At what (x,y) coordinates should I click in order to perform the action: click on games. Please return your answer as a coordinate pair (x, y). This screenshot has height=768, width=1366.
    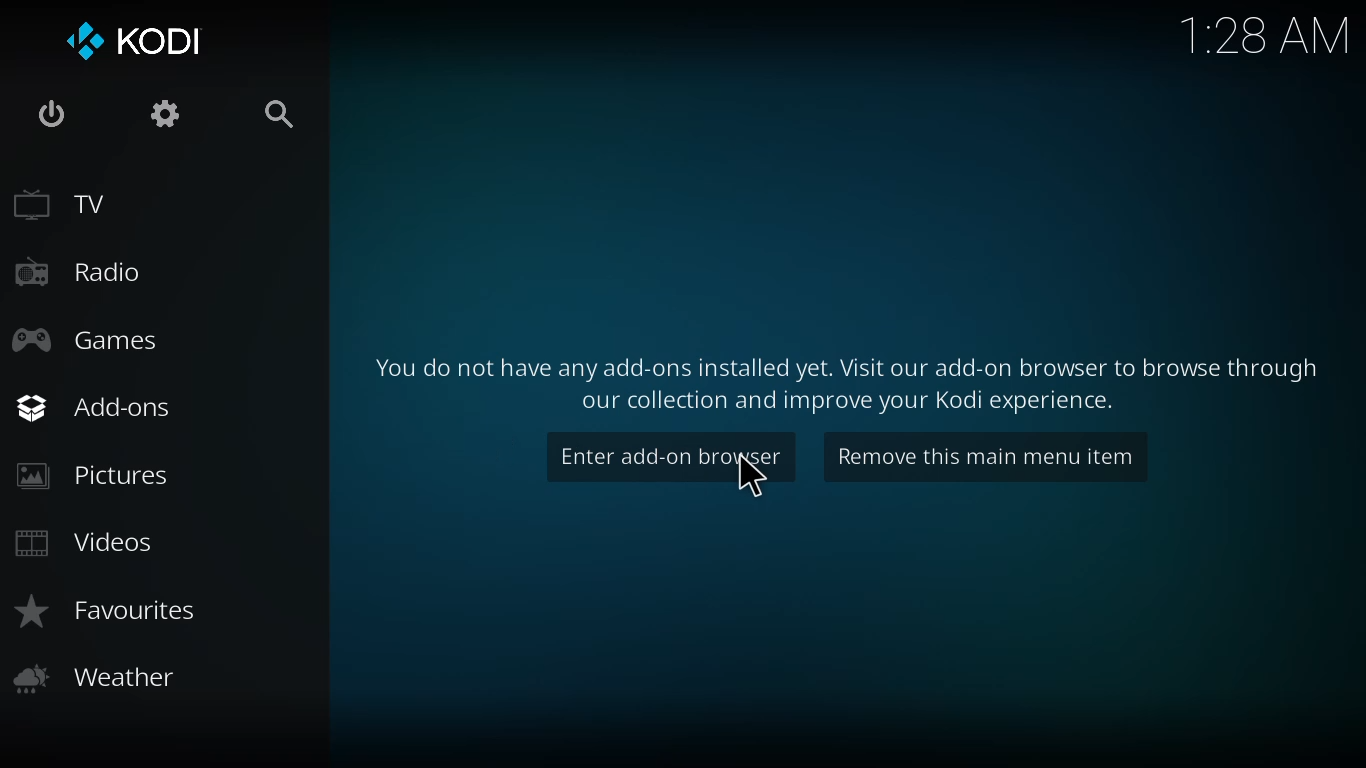
    Looking at the image, I should click on (84, 343).